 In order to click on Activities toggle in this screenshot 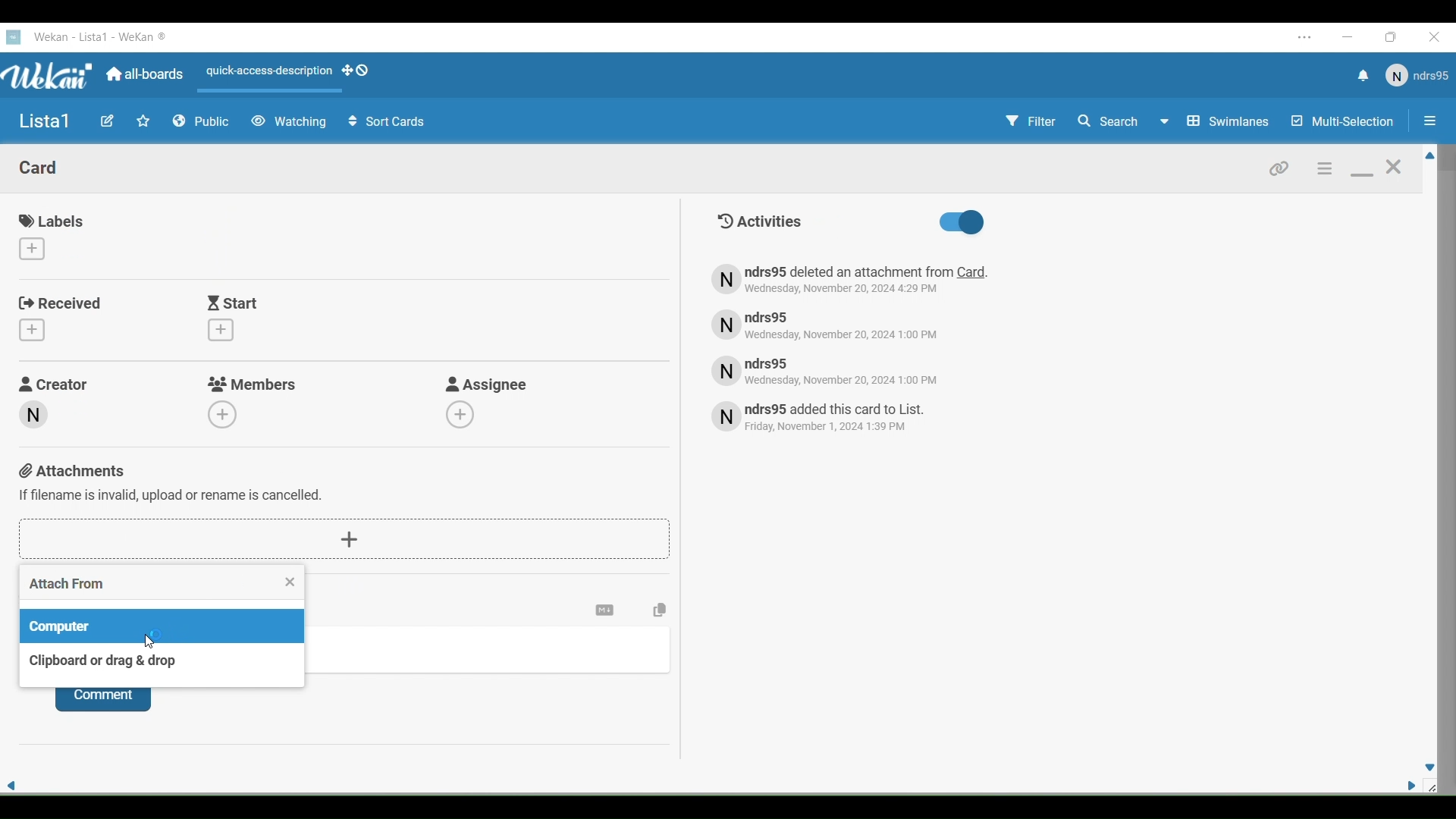, I will do `click(961, 223)`.